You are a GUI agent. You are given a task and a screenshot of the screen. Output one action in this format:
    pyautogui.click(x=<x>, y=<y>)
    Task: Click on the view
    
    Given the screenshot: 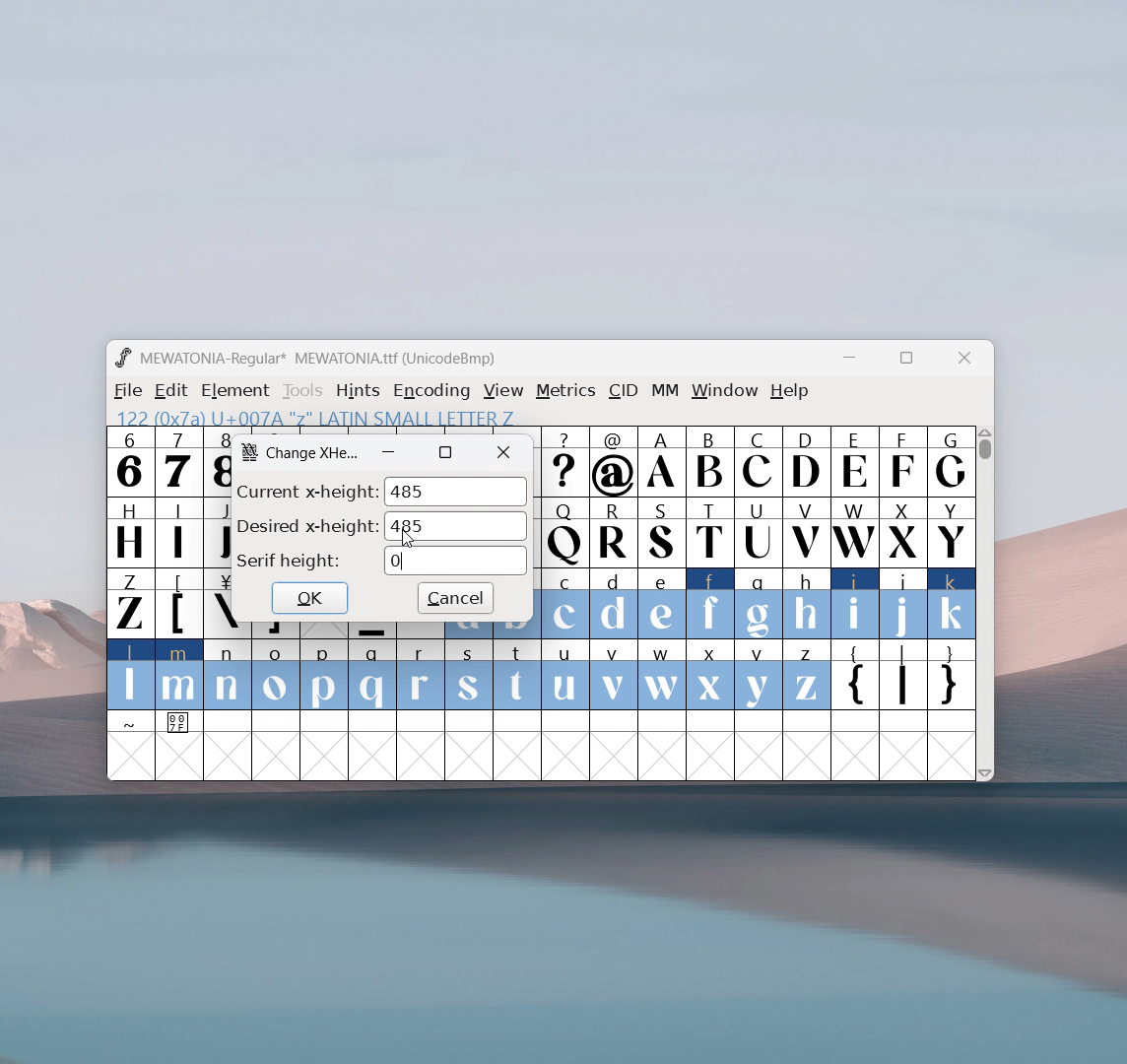 What is the action you would take?
    pyautogui.click(x=503, y=391)
    